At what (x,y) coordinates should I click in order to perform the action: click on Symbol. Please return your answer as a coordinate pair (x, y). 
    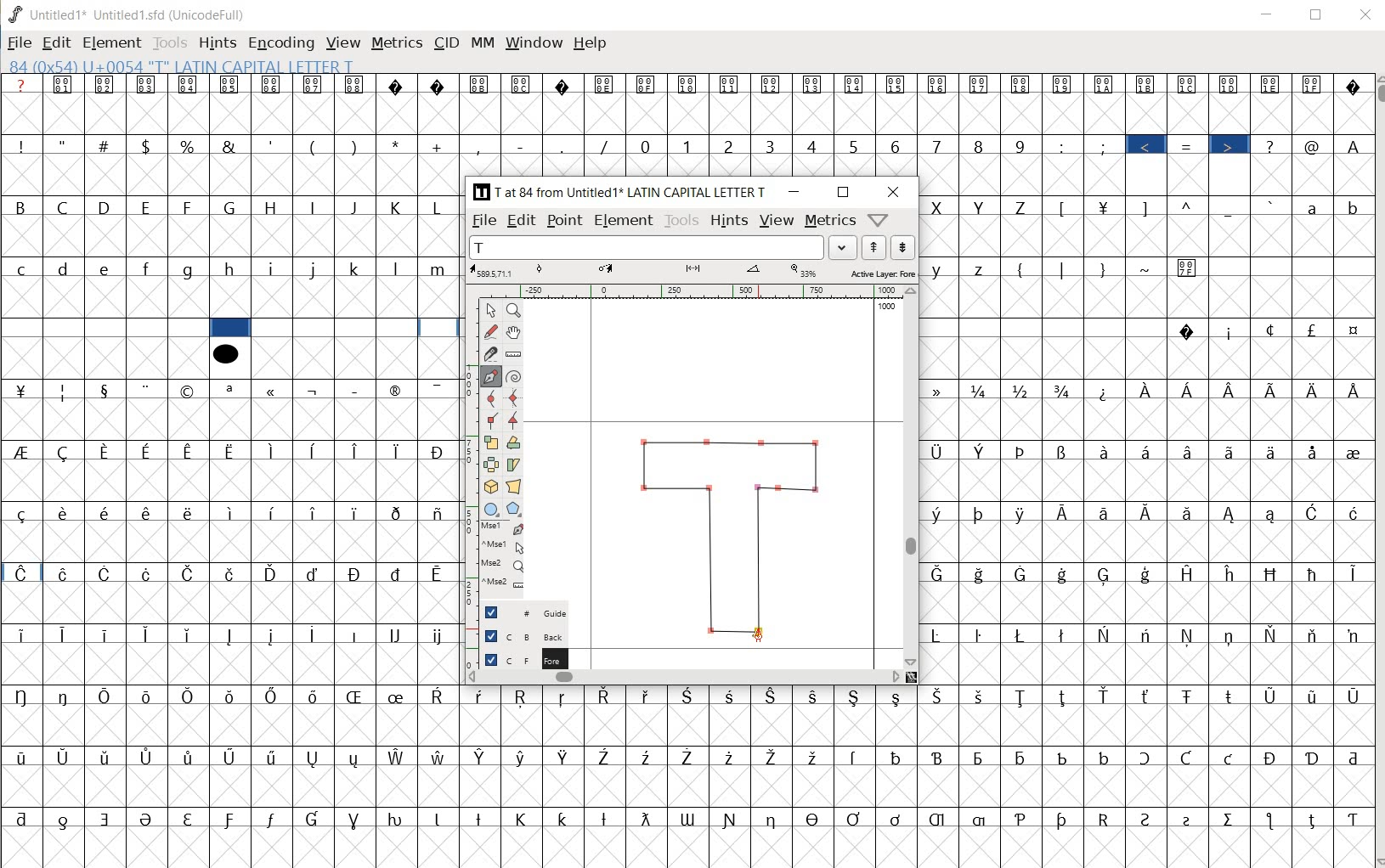
    Looking at the image, I should click on (814, 86).